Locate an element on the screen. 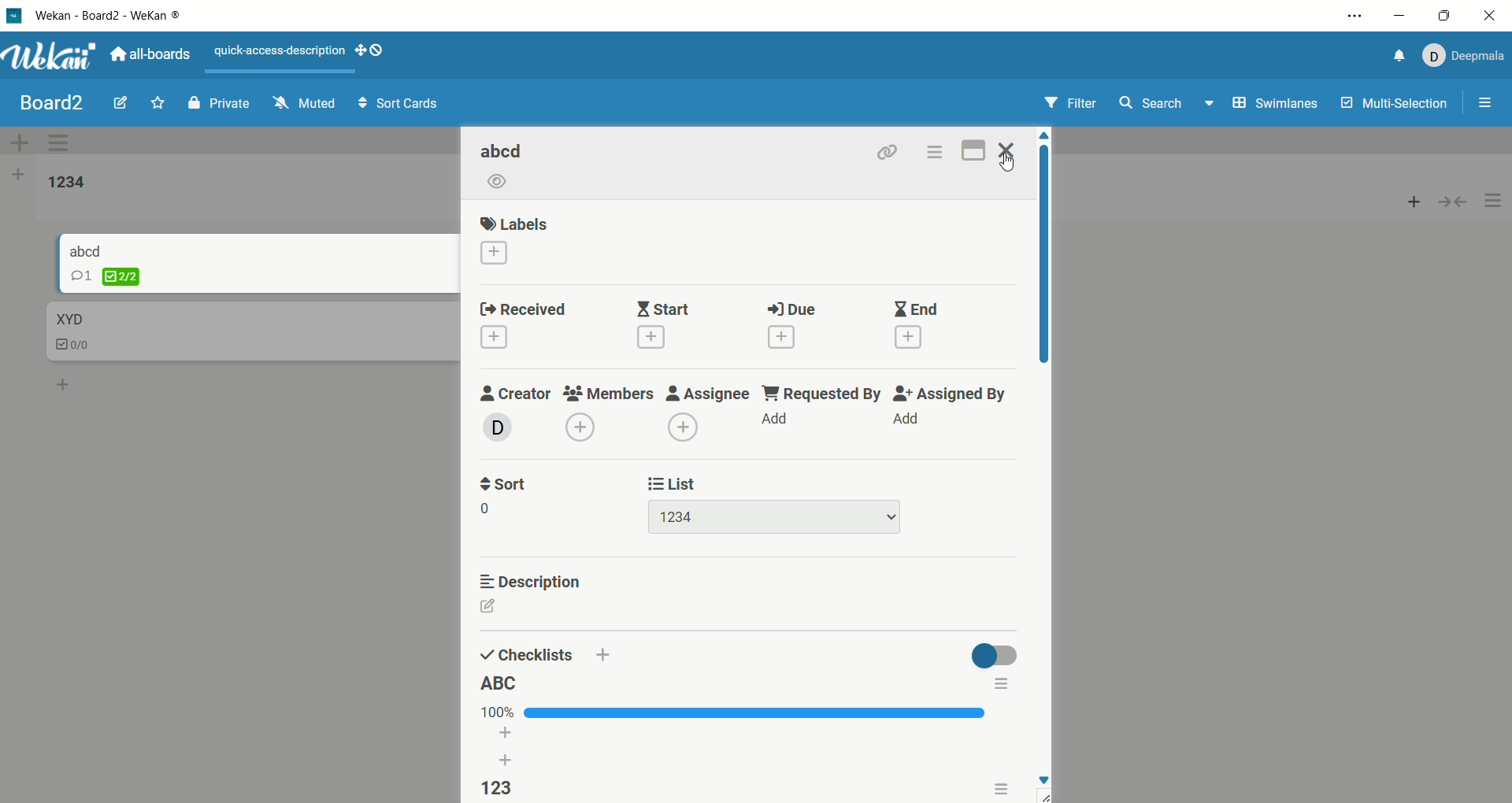 The width and height of the screenshot is (1512, 803). swimlane actions is located at coordinates (63, 142).